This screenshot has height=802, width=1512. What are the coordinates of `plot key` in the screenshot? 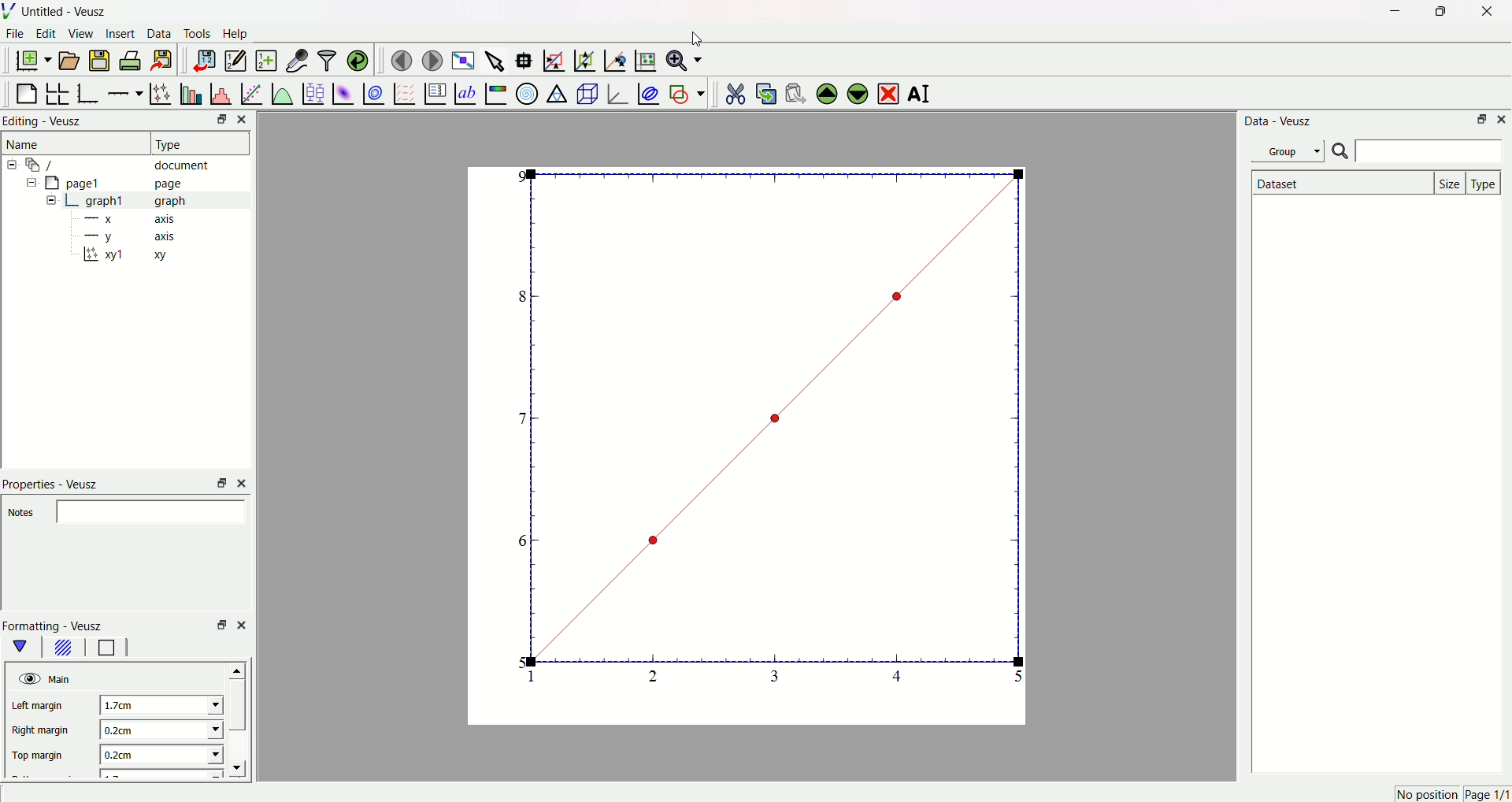 It's located at (434, 91).